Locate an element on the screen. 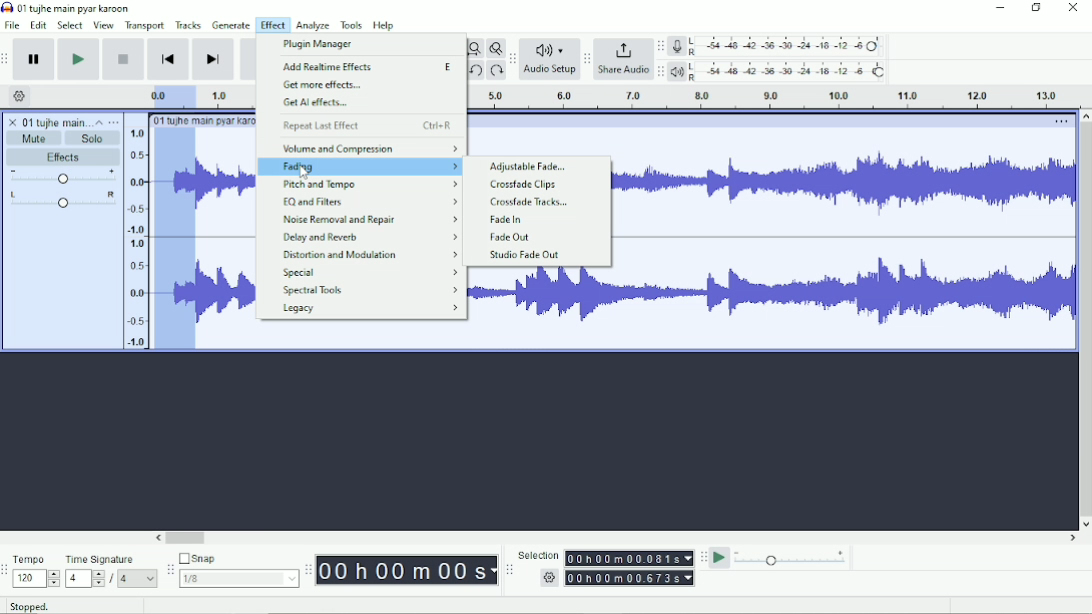  Audio Setup is located at coordinates (550, 72).